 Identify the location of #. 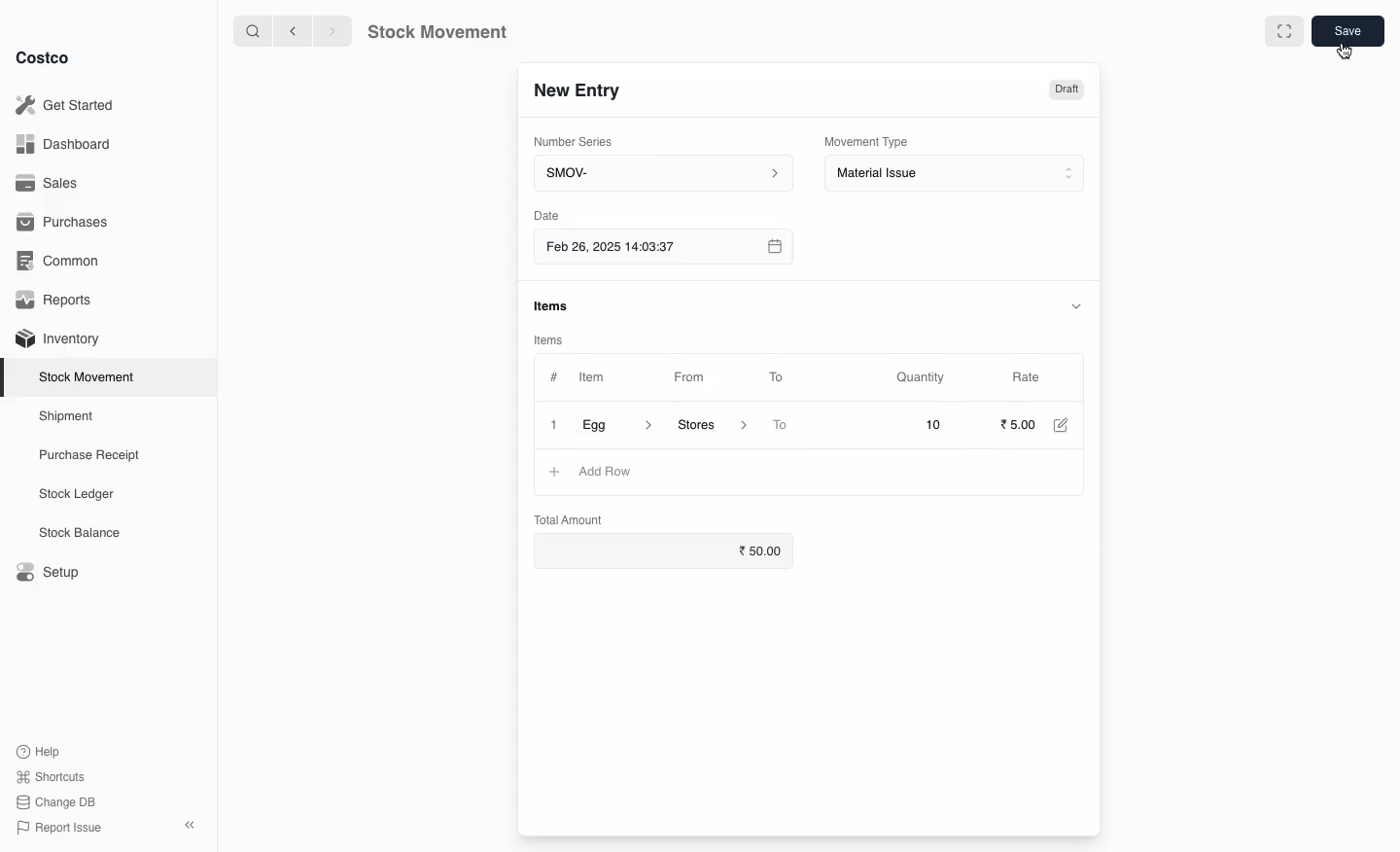
(554, 377).